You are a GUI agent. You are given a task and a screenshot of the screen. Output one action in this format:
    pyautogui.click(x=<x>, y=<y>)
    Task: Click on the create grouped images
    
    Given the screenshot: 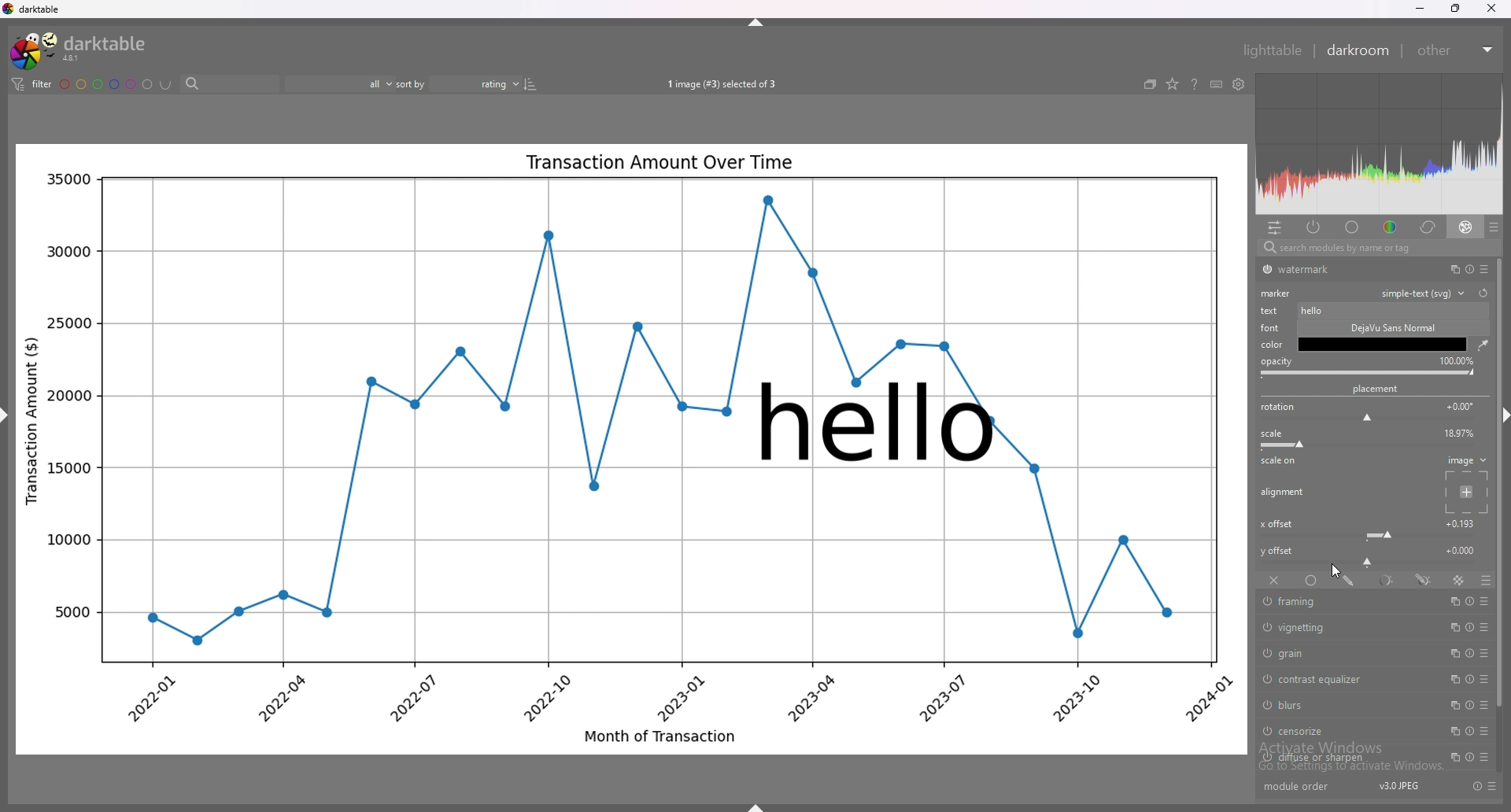 What is the action you would take?
    pyautogui.click(x=1151, y=84)
    